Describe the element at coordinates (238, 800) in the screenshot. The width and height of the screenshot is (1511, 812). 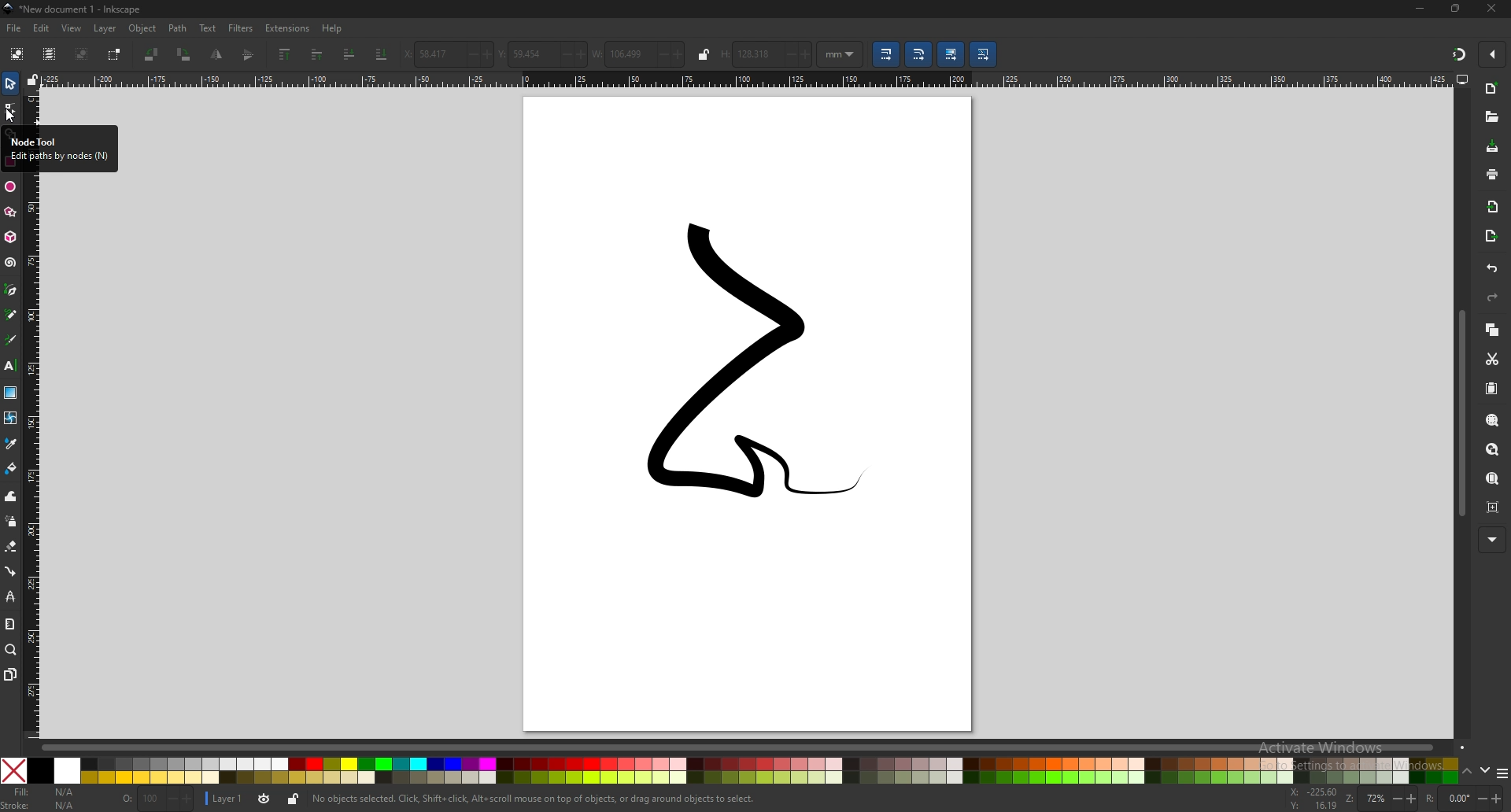
I see `Layer 1` at that location.